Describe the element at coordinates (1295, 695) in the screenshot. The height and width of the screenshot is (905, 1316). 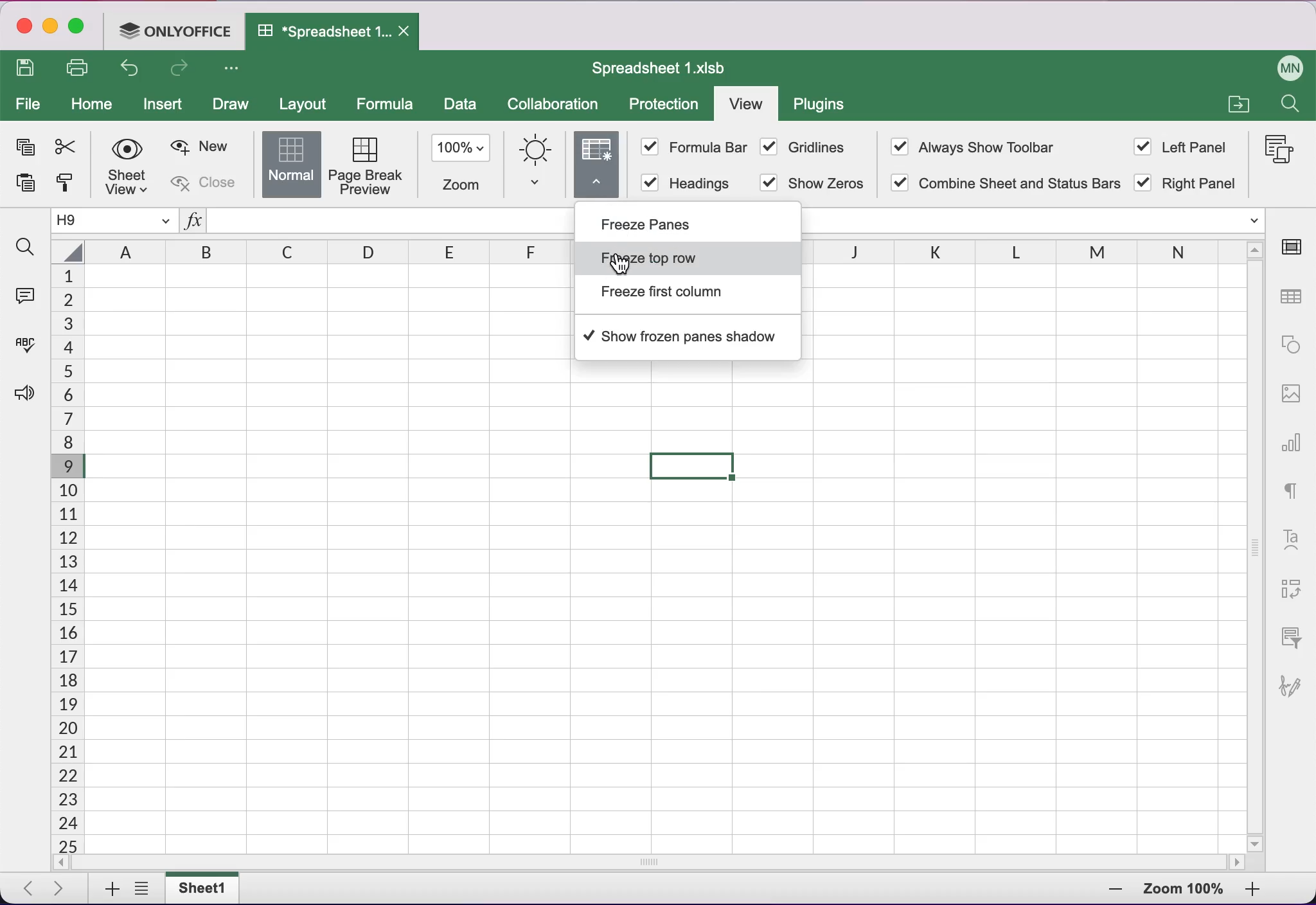
I see `signature` at that location.